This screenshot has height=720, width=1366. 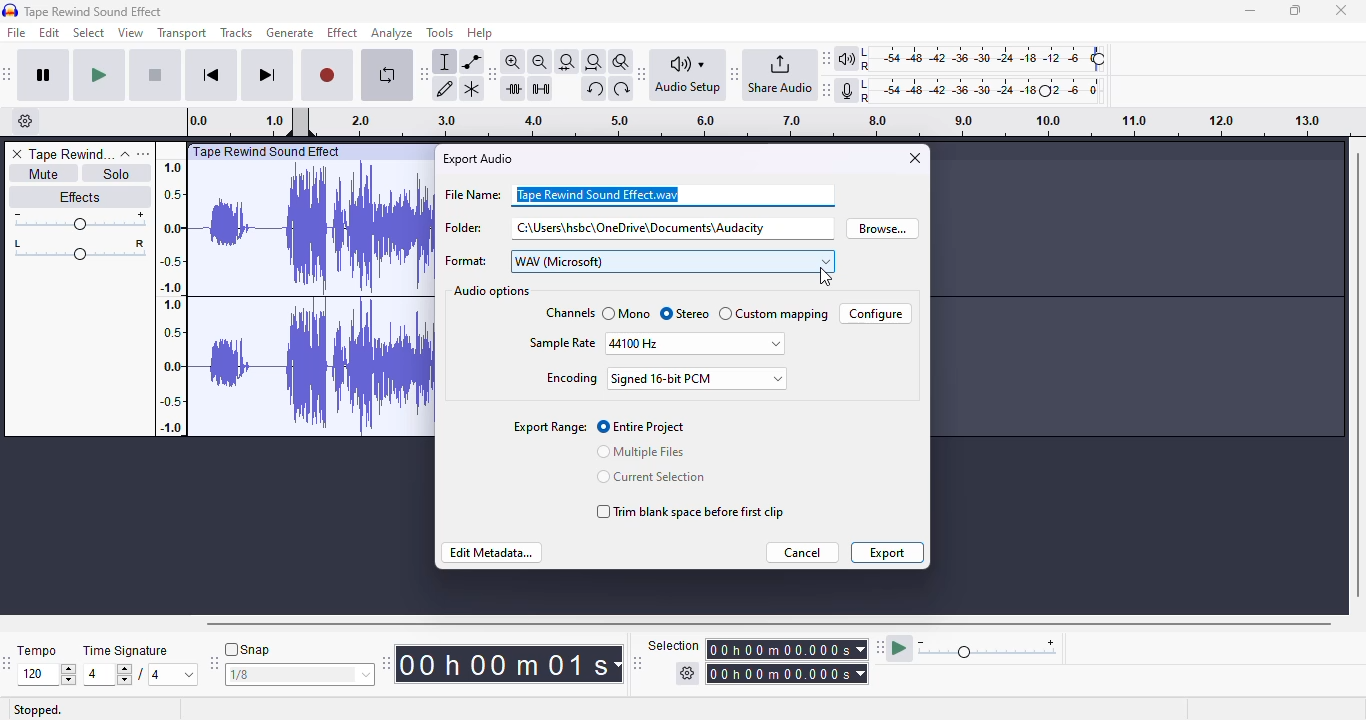 I want to click on play, so click(x=100, y=77).